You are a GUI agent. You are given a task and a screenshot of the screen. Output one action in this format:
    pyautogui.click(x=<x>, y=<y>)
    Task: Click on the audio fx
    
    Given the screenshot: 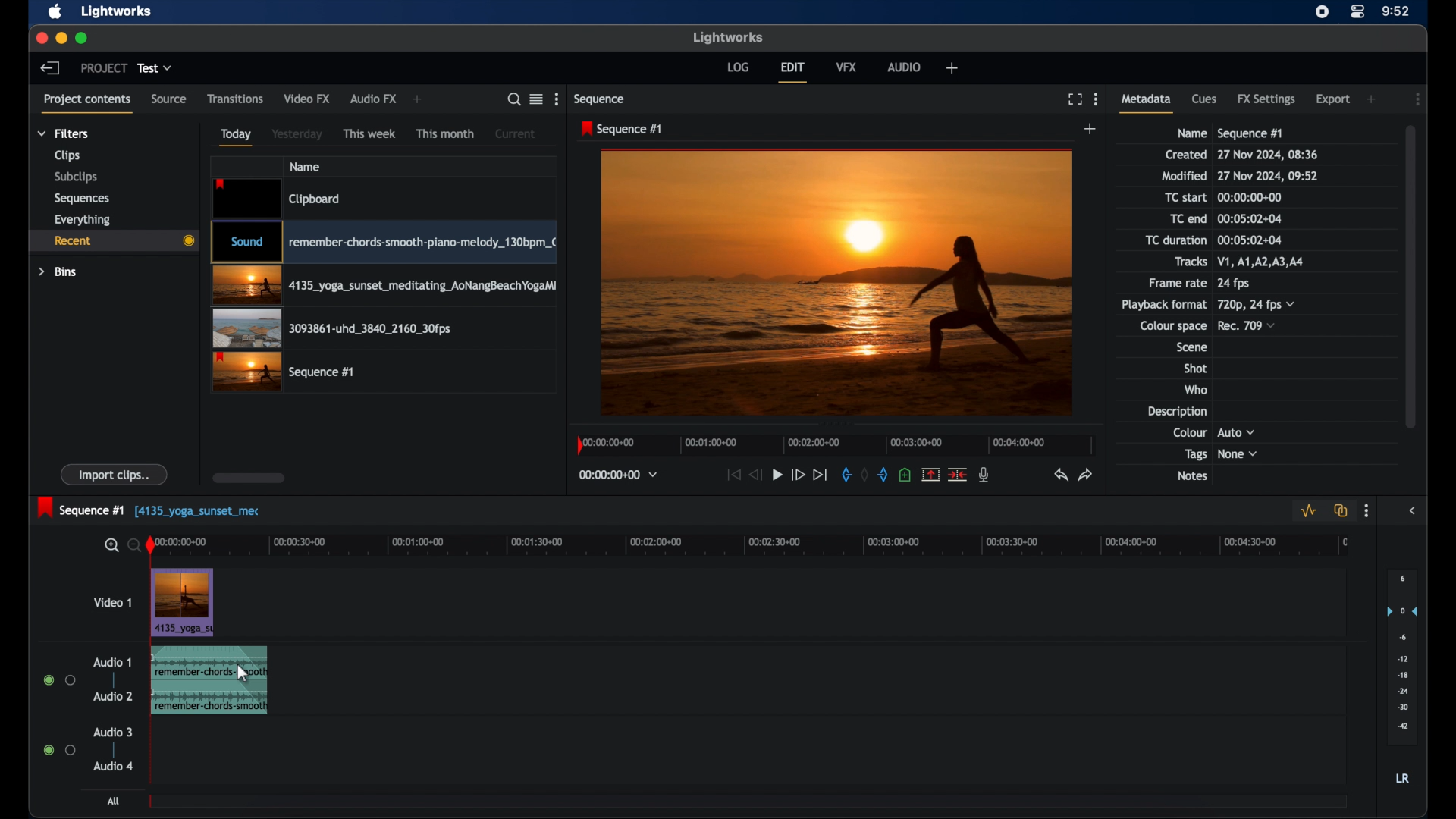 What is the action you would take?
    pyautogui.click(x=374, y=99)
    